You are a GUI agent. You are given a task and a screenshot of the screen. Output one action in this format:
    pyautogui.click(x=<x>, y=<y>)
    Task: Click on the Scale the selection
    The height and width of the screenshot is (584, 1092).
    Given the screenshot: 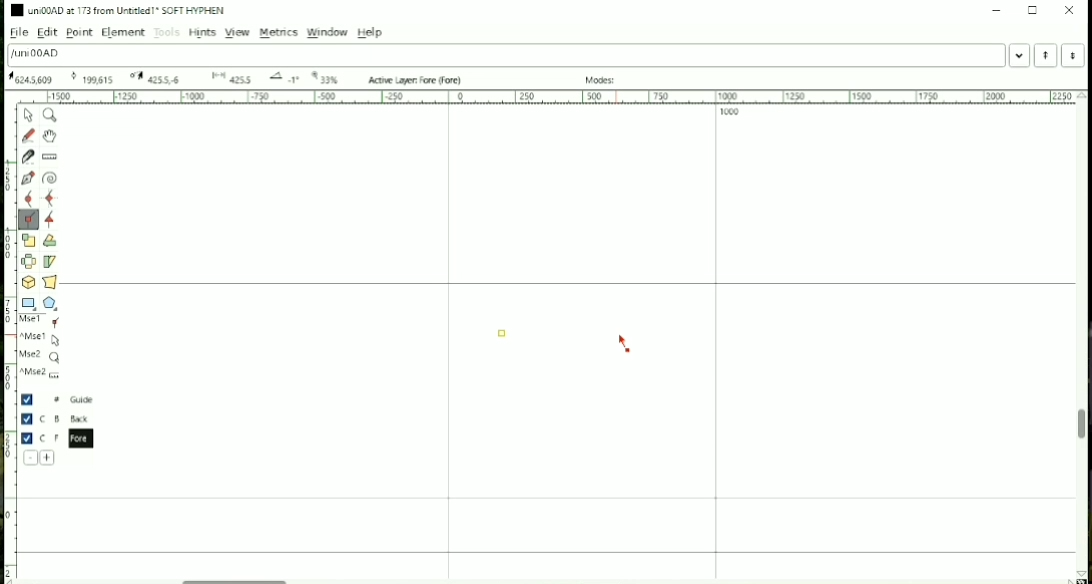 What is the action you would take?
    pyautogui.click(x=28, y=240)
    